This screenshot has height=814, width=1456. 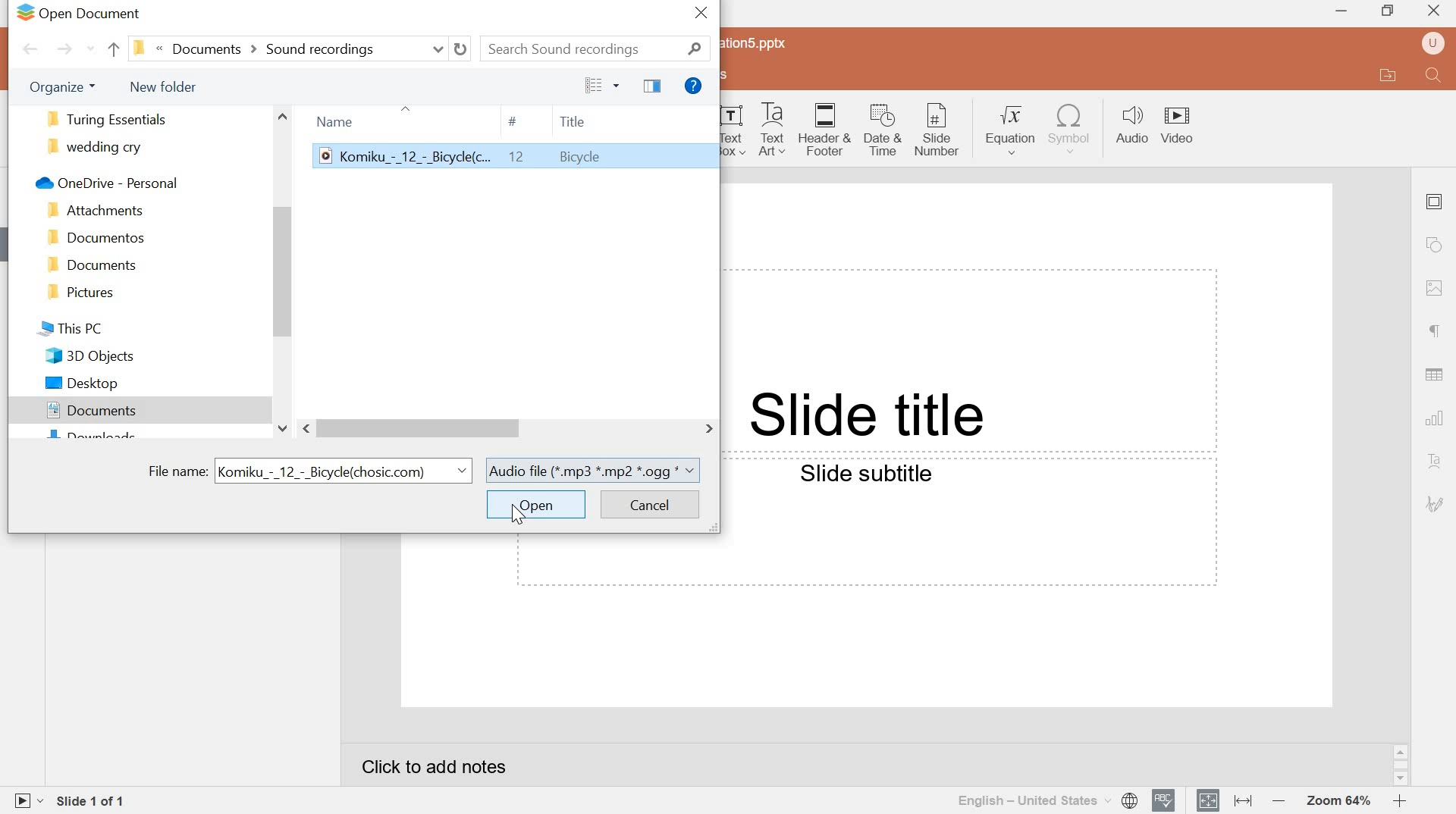 What do you see at coordinates (463, 49) in the screenshot?
I see `refresh` at bounding box center [463, 49].